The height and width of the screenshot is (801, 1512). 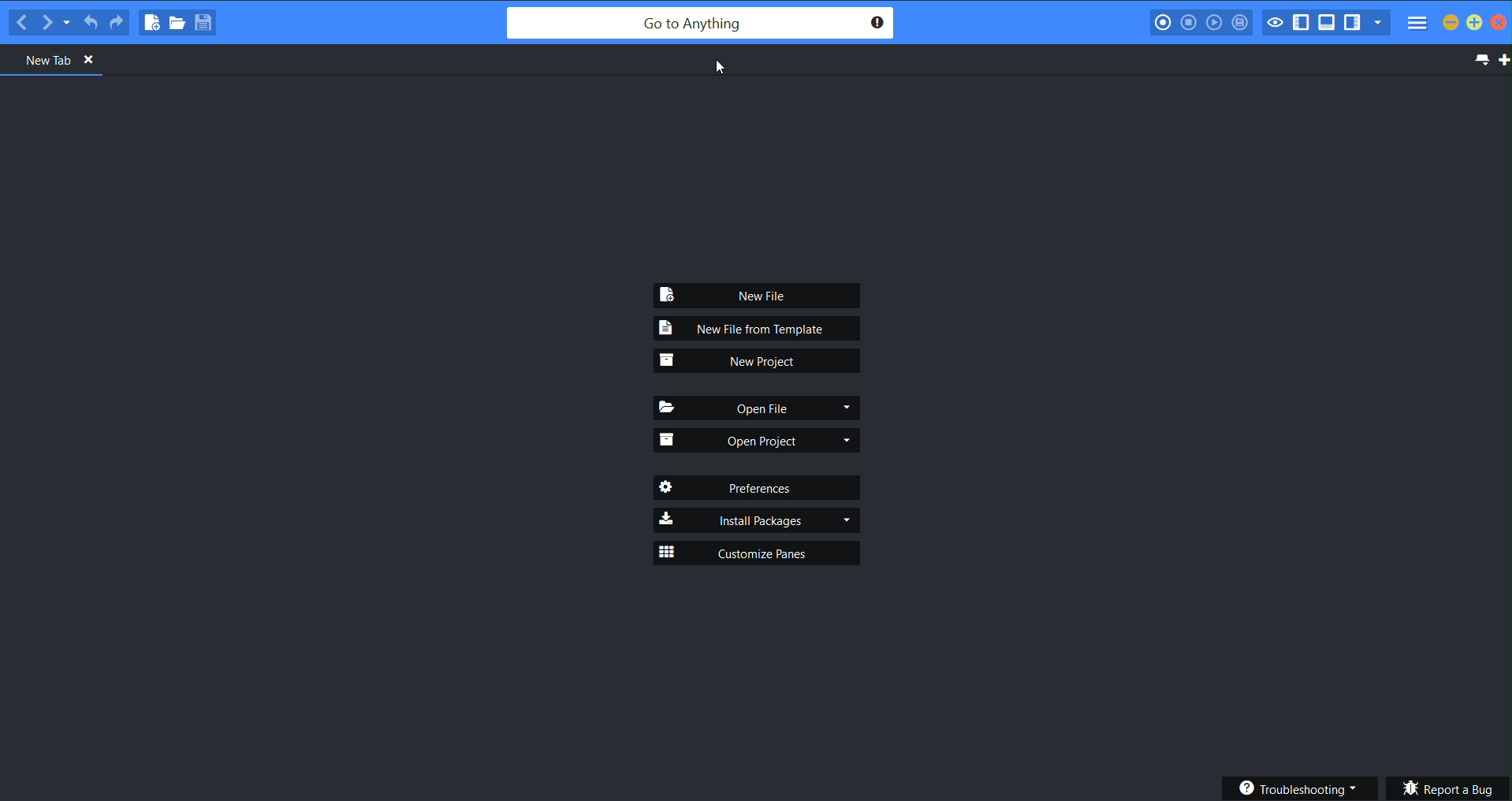 I want to click on minimize, so click(x=1451, y=22).